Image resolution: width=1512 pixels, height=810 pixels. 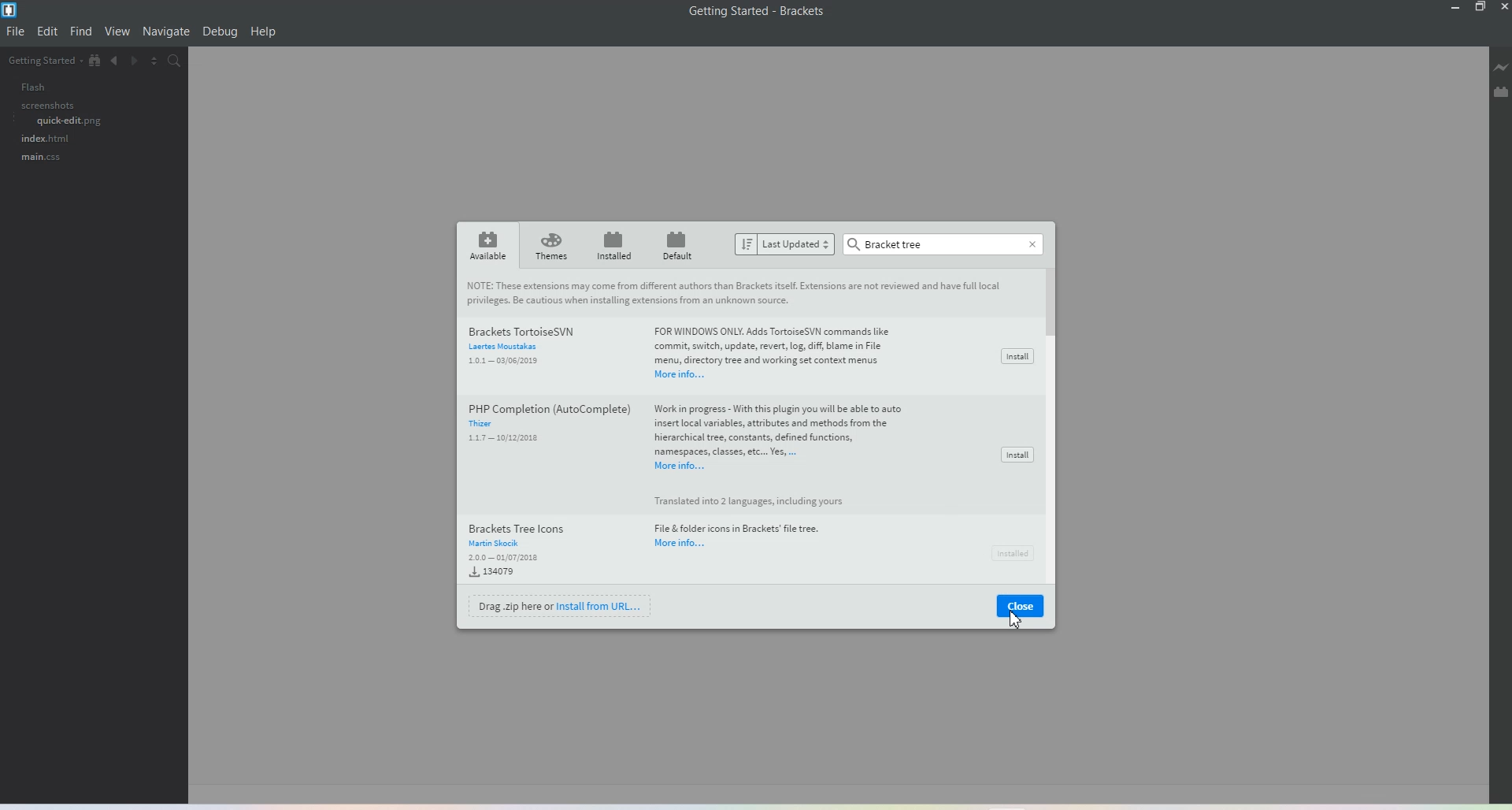 What do you see at coordinates (42, 140) in the screenshot?
I see `index.html` at bounding box center [42, 140].